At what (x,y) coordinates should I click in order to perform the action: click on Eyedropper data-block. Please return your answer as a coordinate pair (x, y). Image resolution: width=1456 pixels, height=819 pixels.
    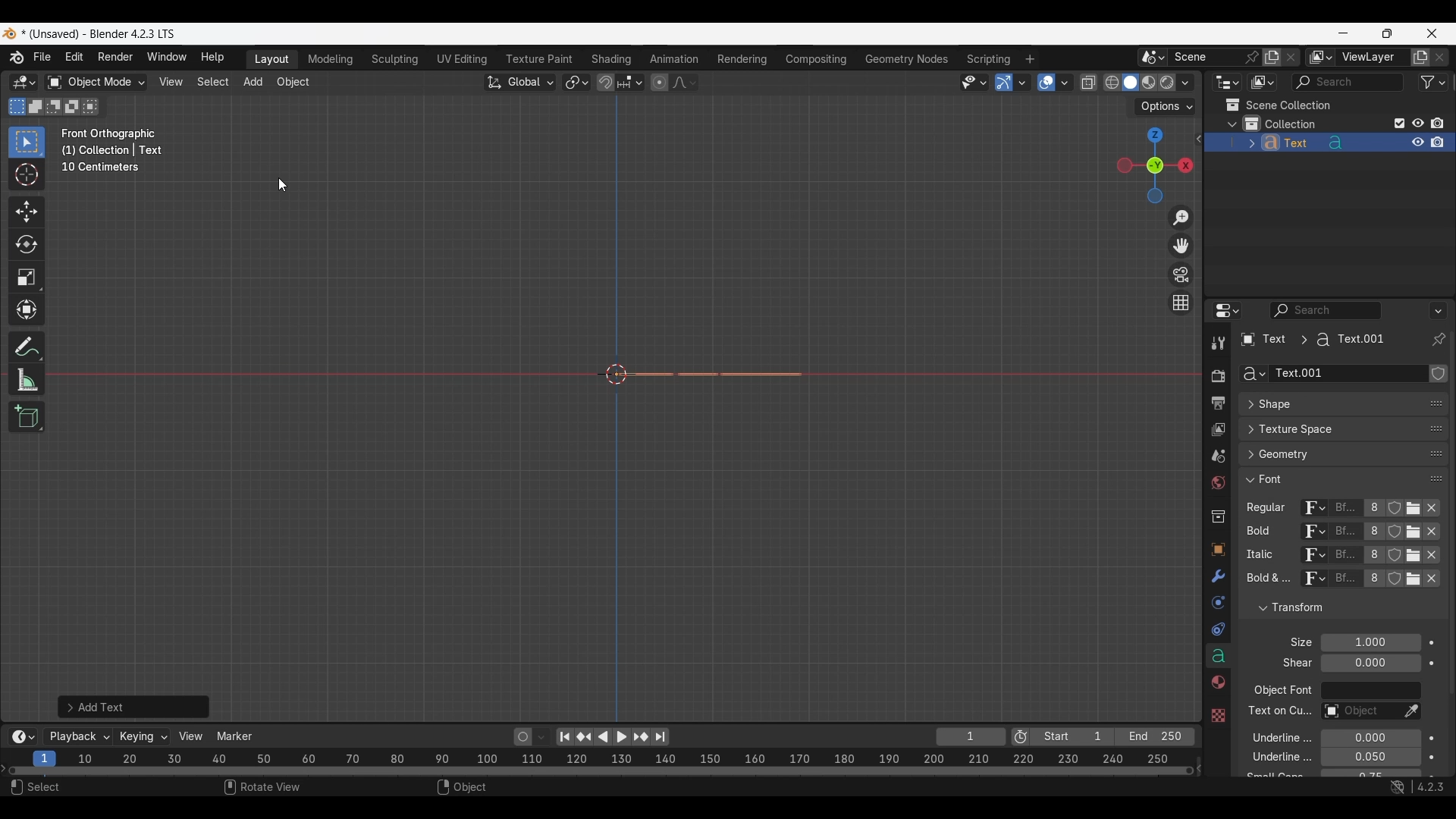
    Looking at the image, I should click on (1429, 399).